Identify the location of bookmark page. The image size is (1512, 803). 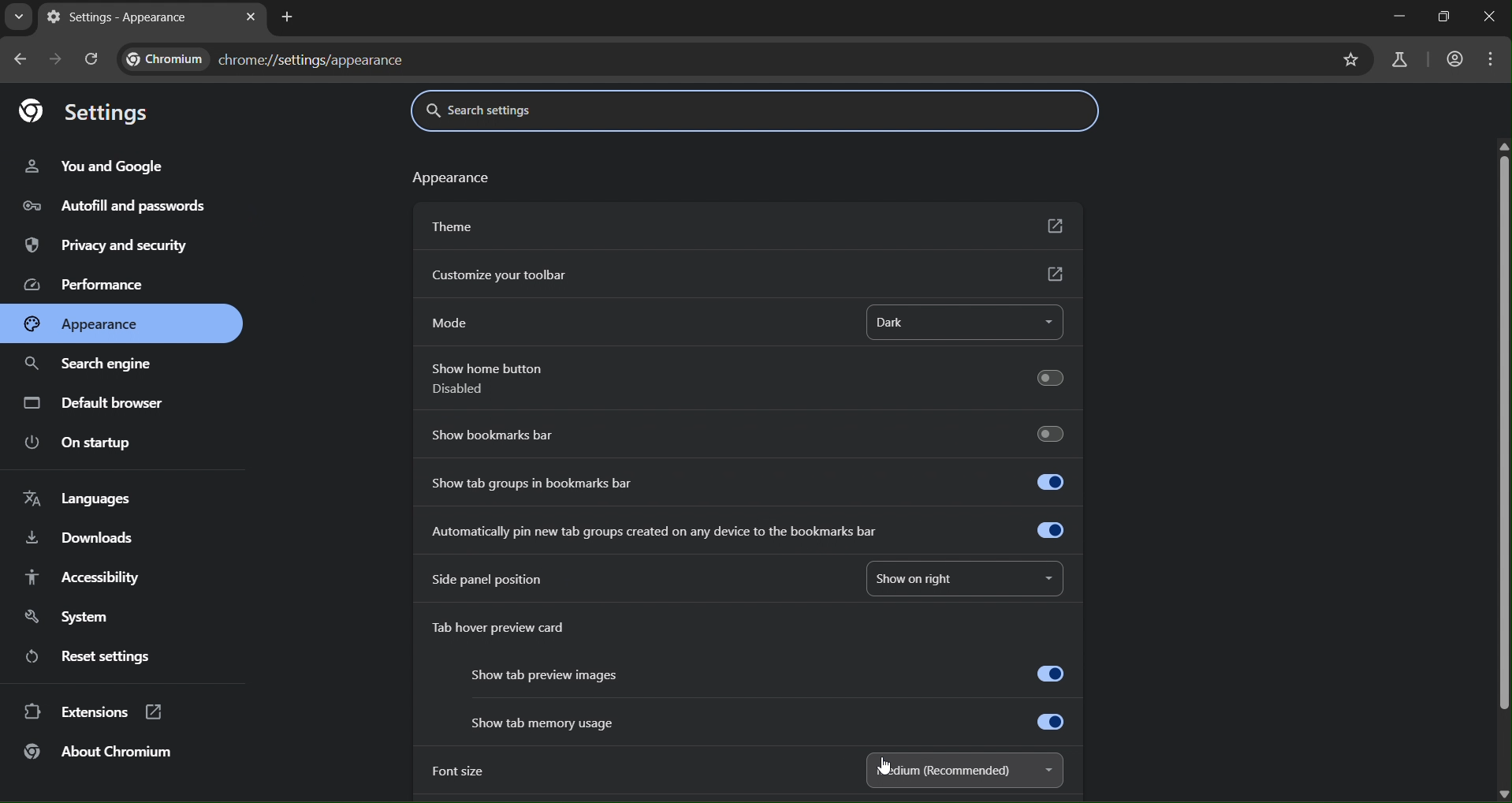
(1354, 59).